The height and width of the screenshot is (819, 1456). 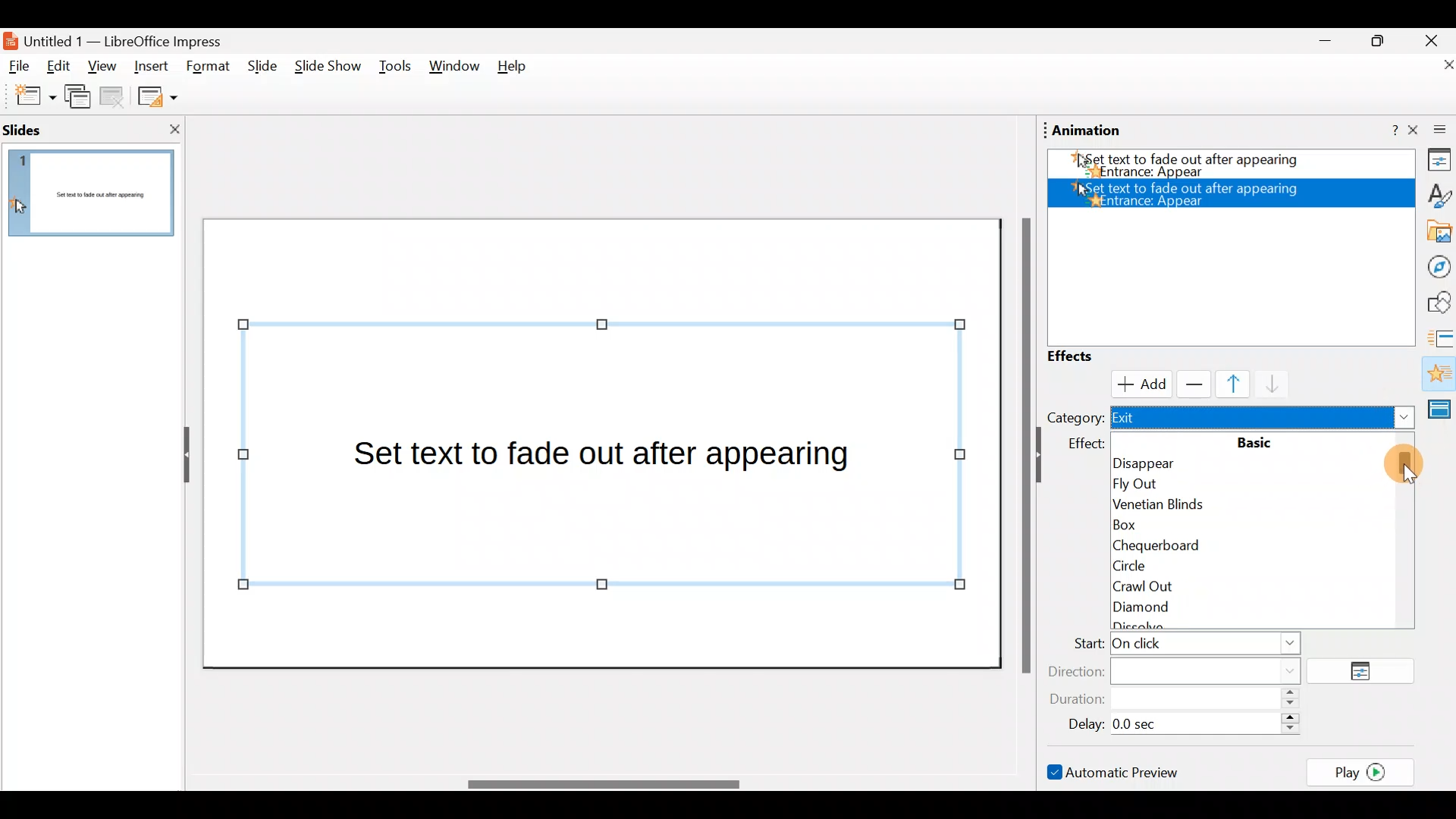 What do you see at coordinates (1436, 232) in the screenshot?
I see `Gallery` at bounding box center [1436, 232].